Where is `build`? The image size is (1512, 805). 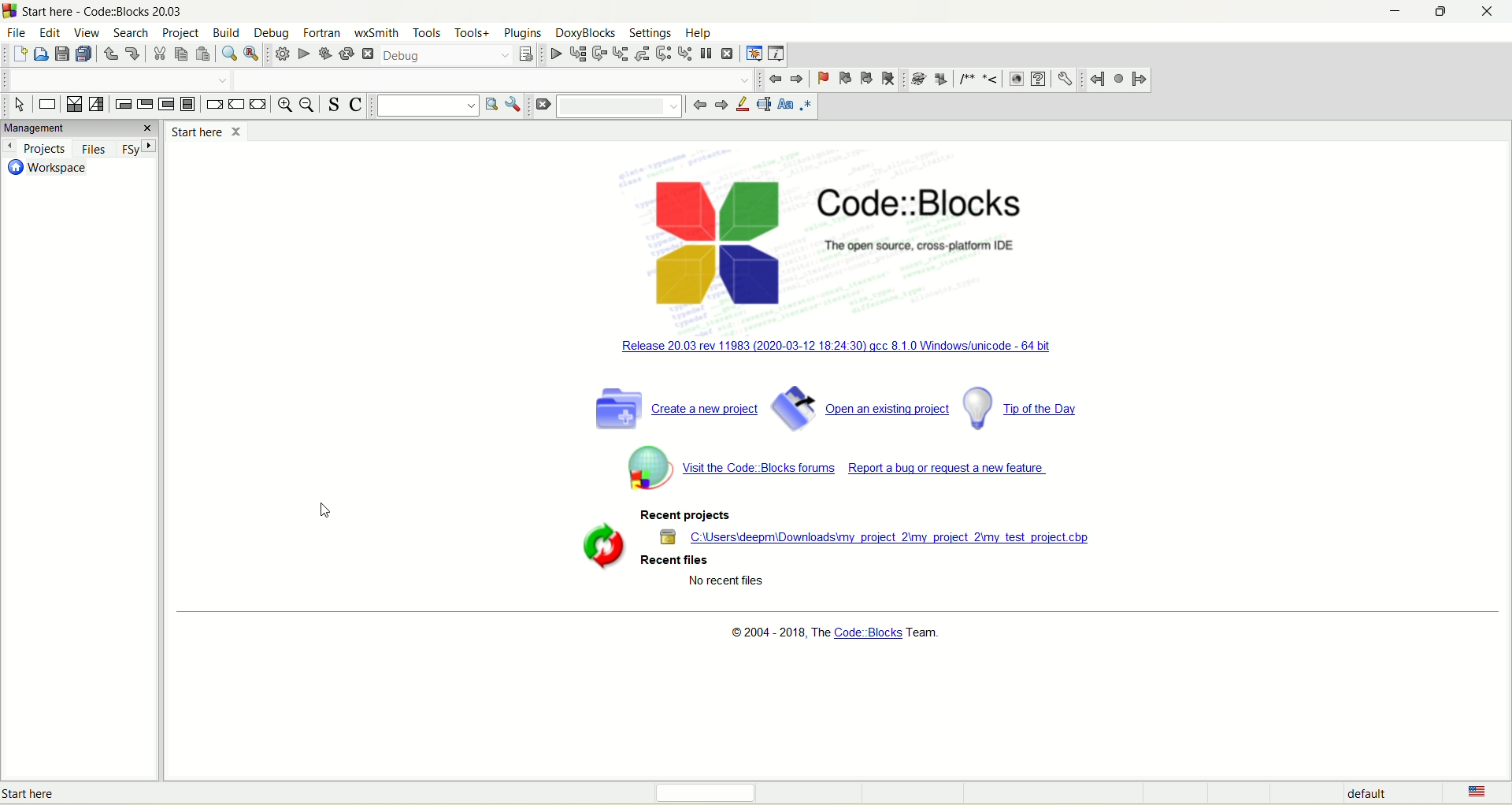 build is located at coordinates (231, 33).